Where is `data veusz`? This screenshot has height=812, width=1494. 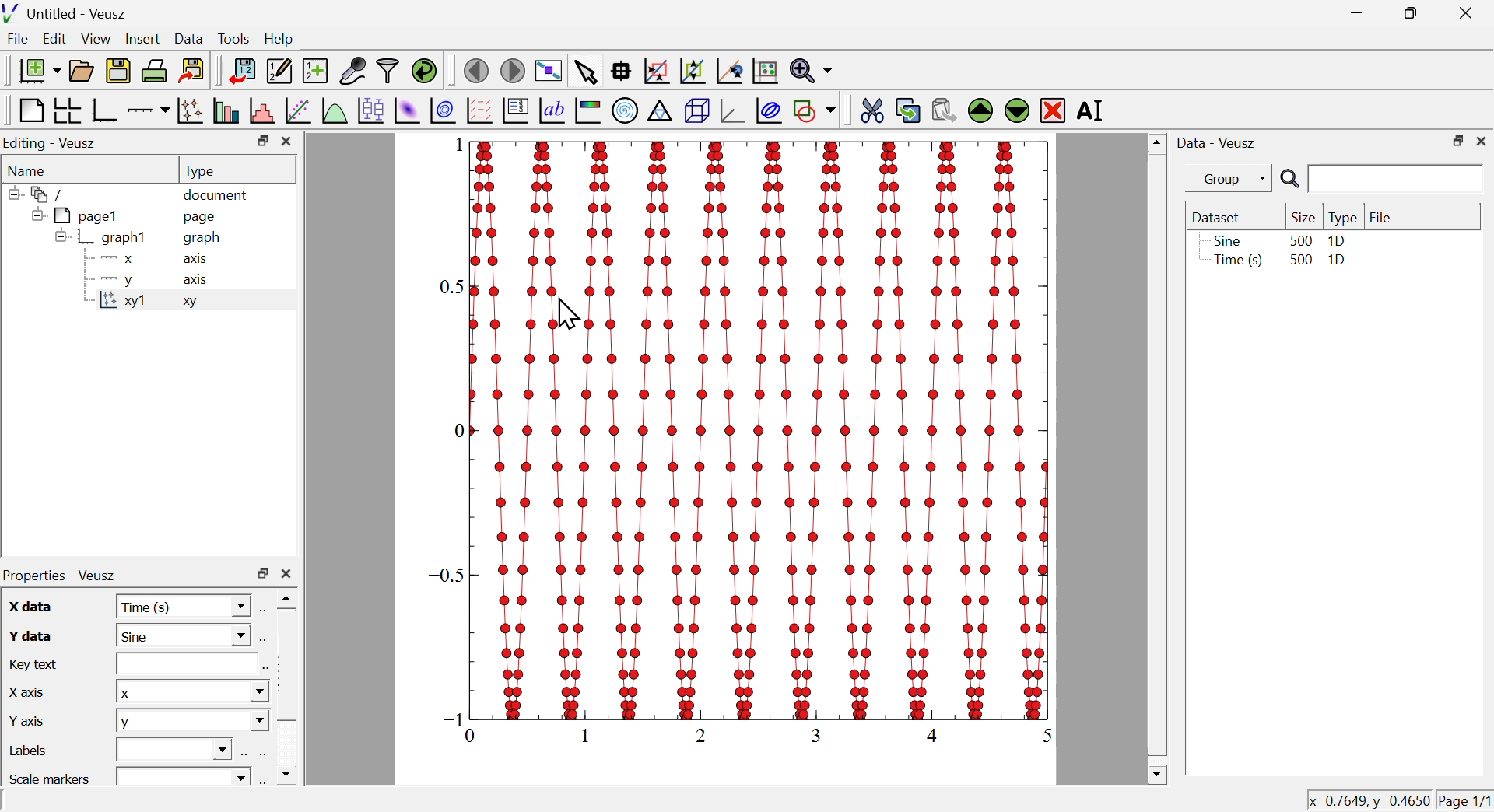 data veusz is located at coordinates (1217, 142).